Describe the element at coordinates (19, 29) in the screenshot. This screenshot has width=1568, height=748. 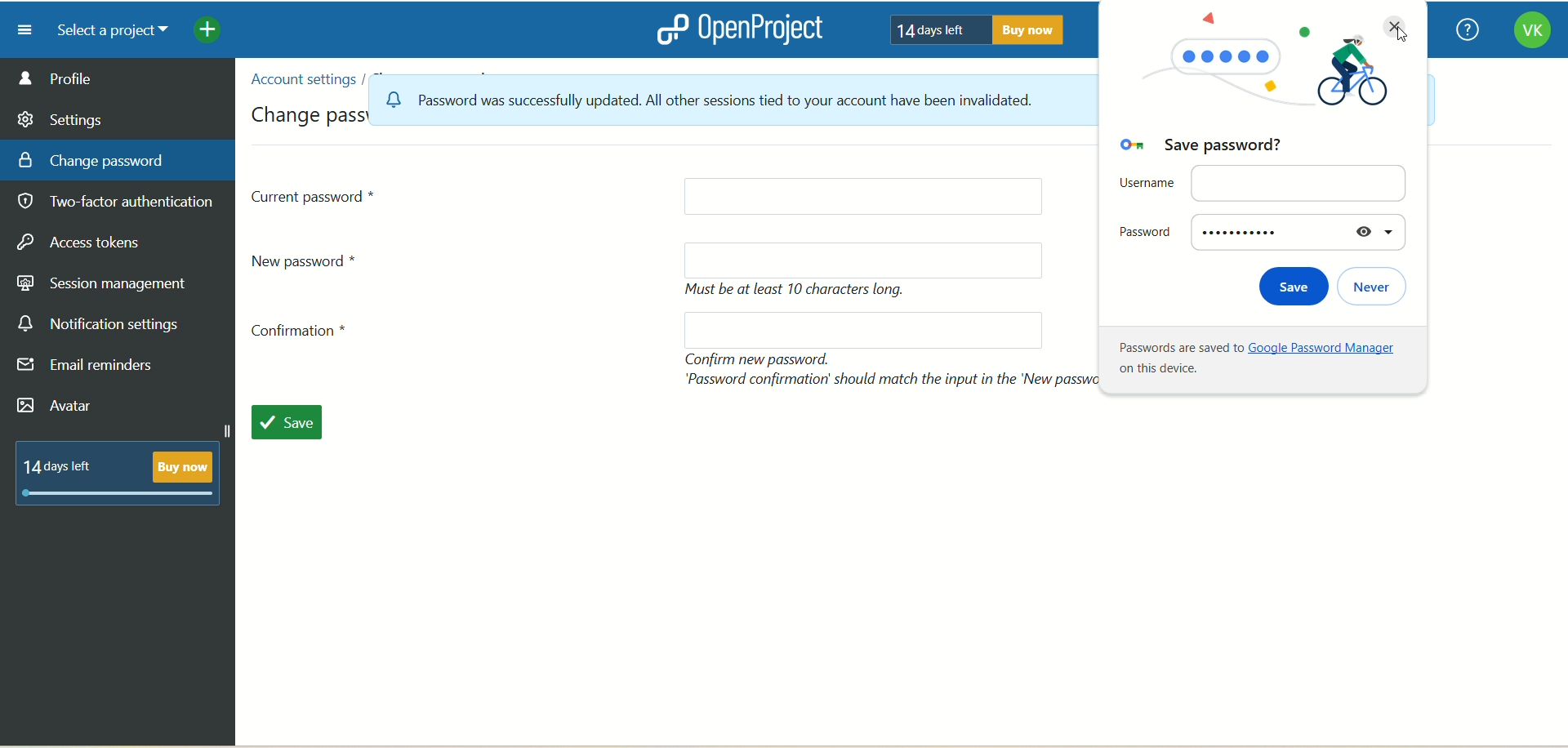
I see `menu` at that location.